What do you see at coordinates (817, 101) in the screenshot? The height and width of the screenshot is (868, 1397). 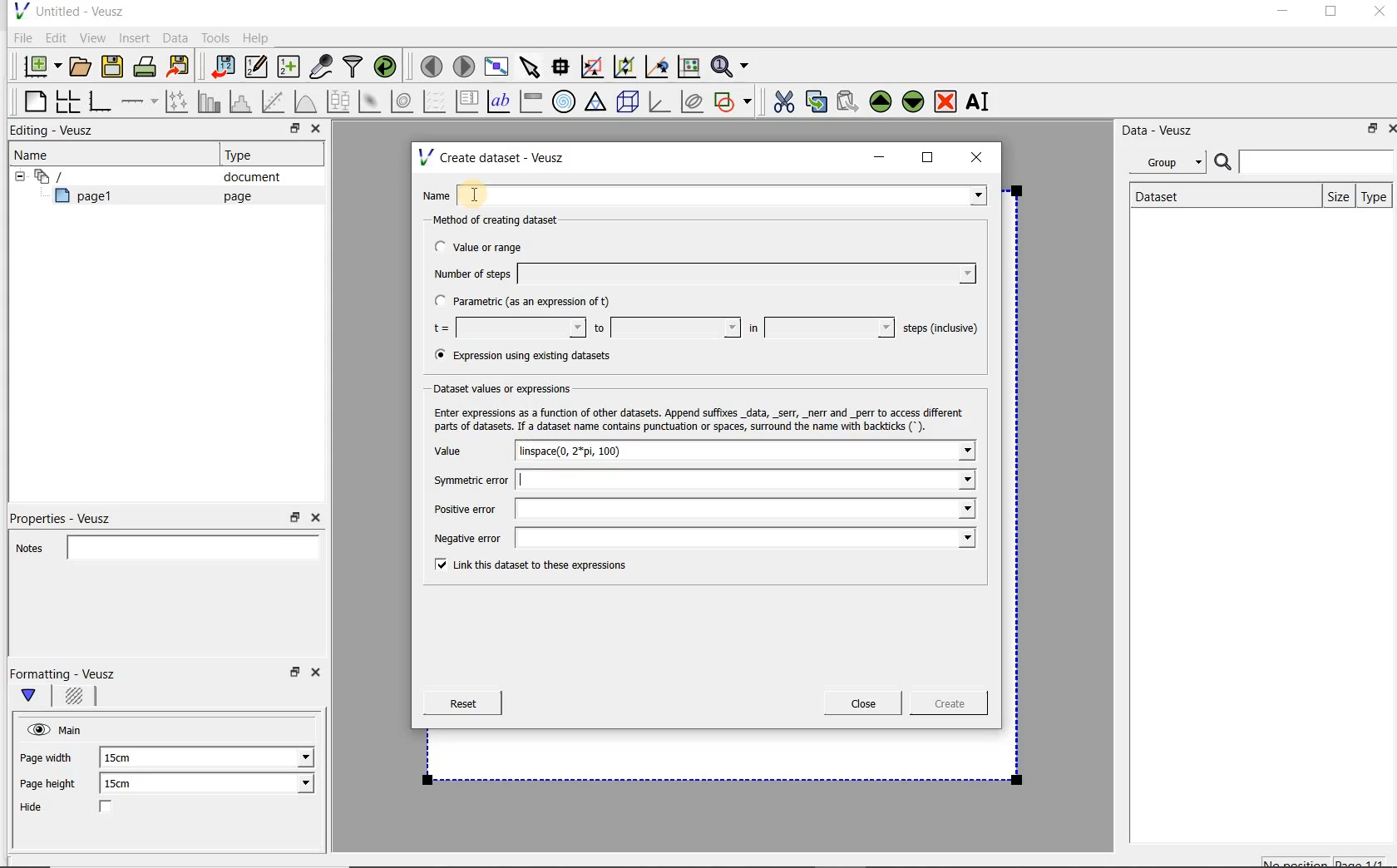 I see `copy the selected widget` at bounding box center [817, 101].